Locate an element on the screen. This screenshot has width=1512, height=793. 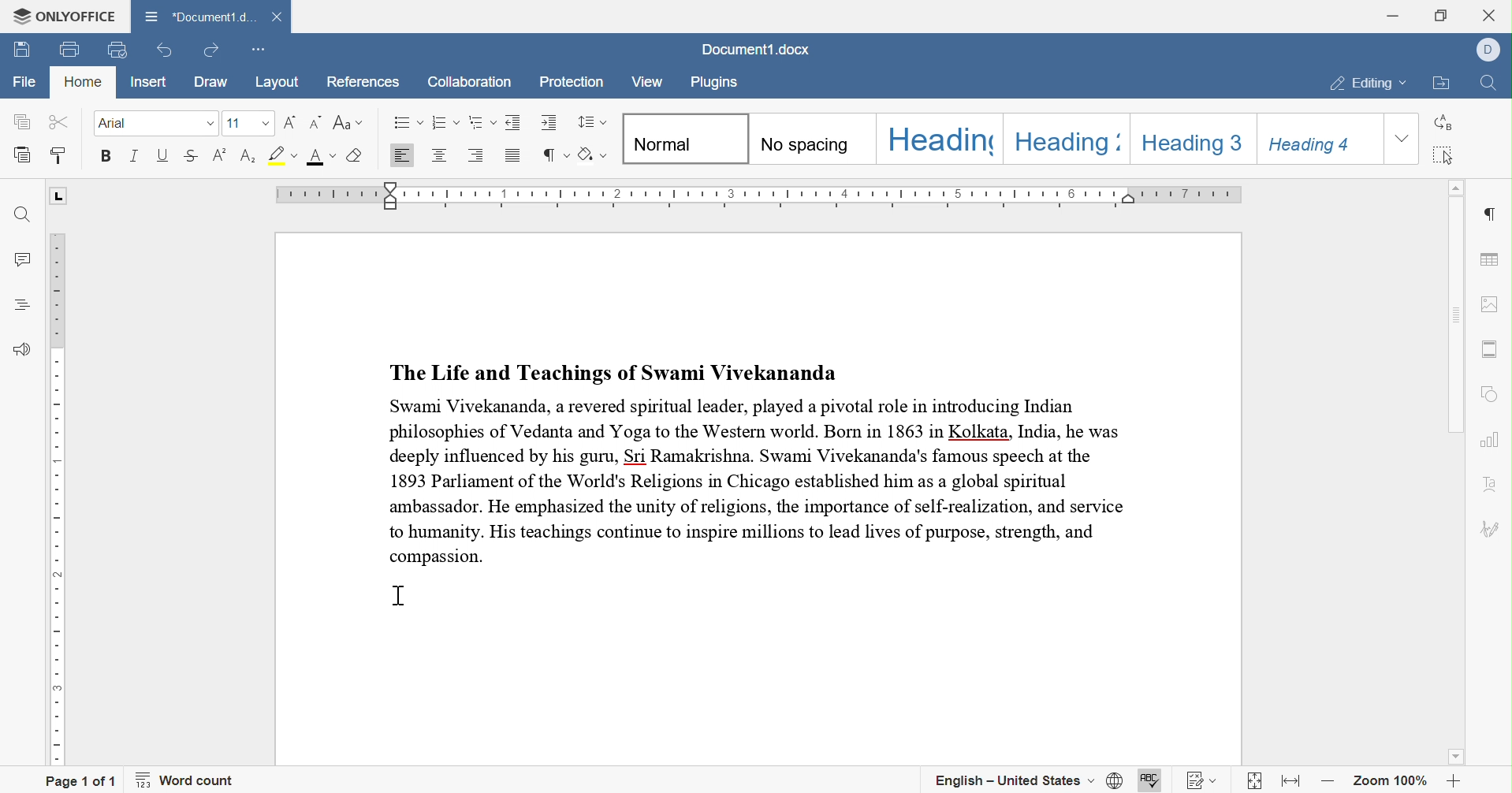
paragraph settings is located at coordinates (1493, 214).